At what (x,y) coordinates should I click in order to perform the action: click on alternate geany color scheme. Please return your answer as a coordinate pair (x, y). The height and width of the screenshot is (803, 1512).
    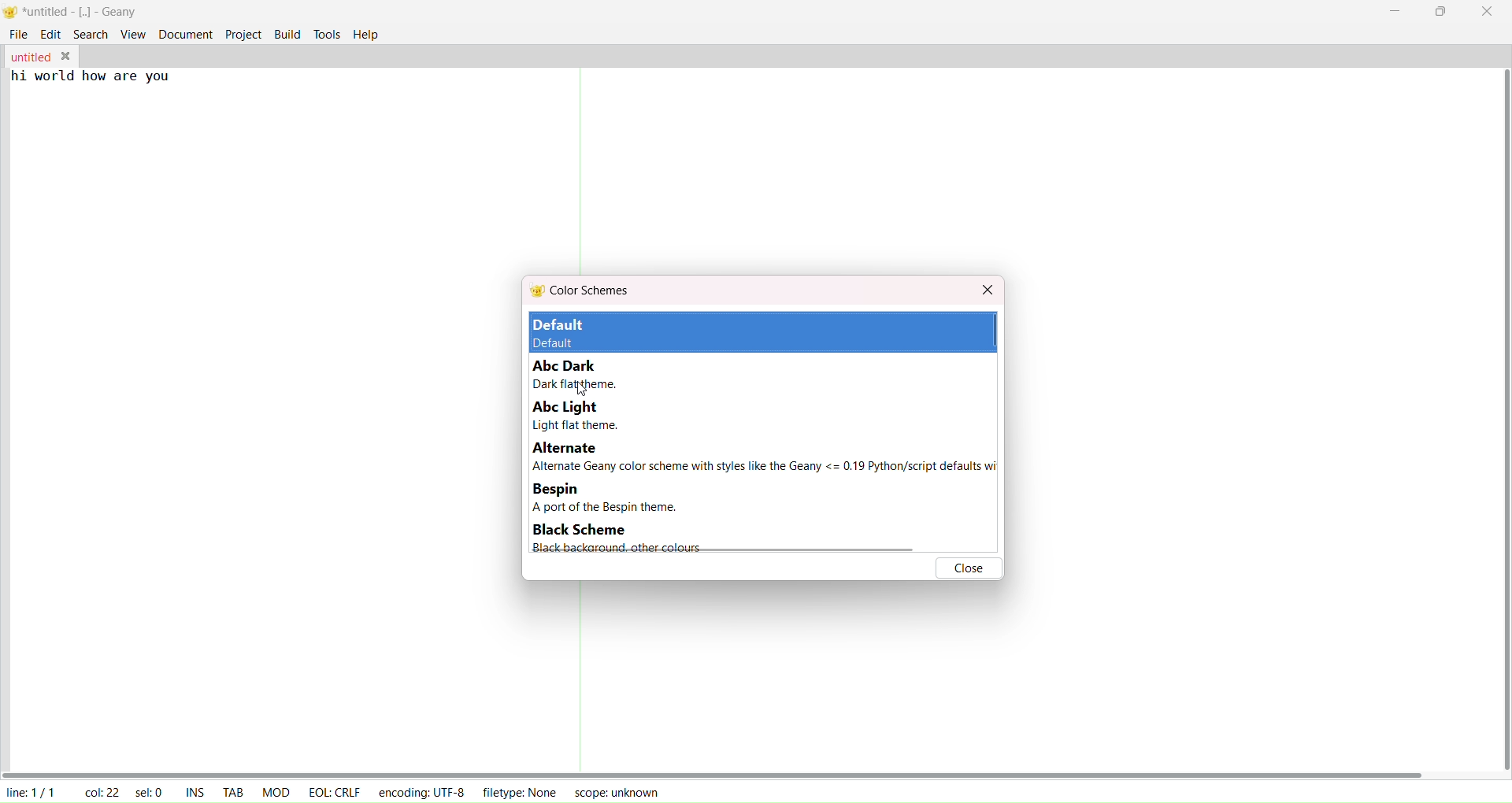
    Looking at the image, I should click on (764, 468).